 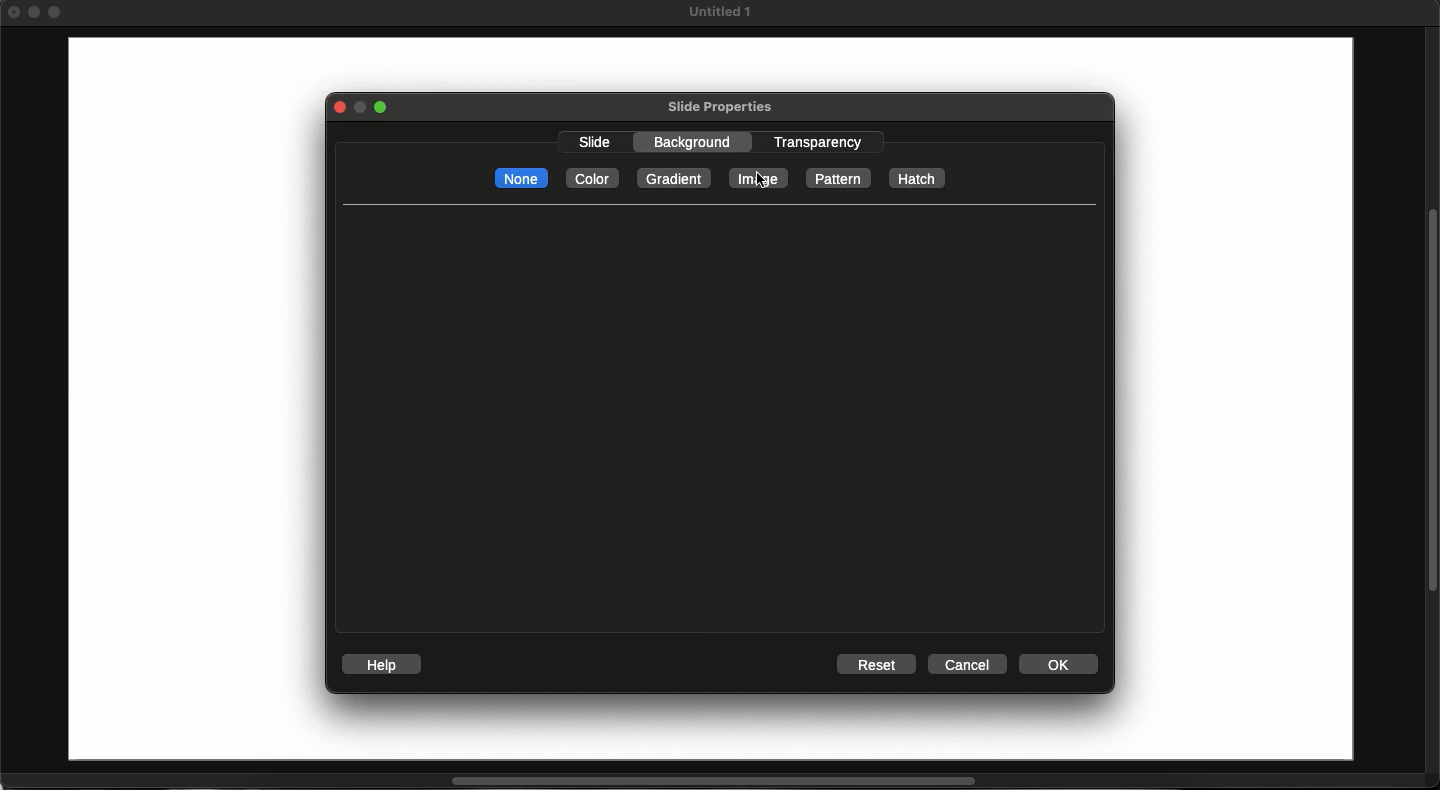 I want to click on Pattern, so click(x=836, y=178).